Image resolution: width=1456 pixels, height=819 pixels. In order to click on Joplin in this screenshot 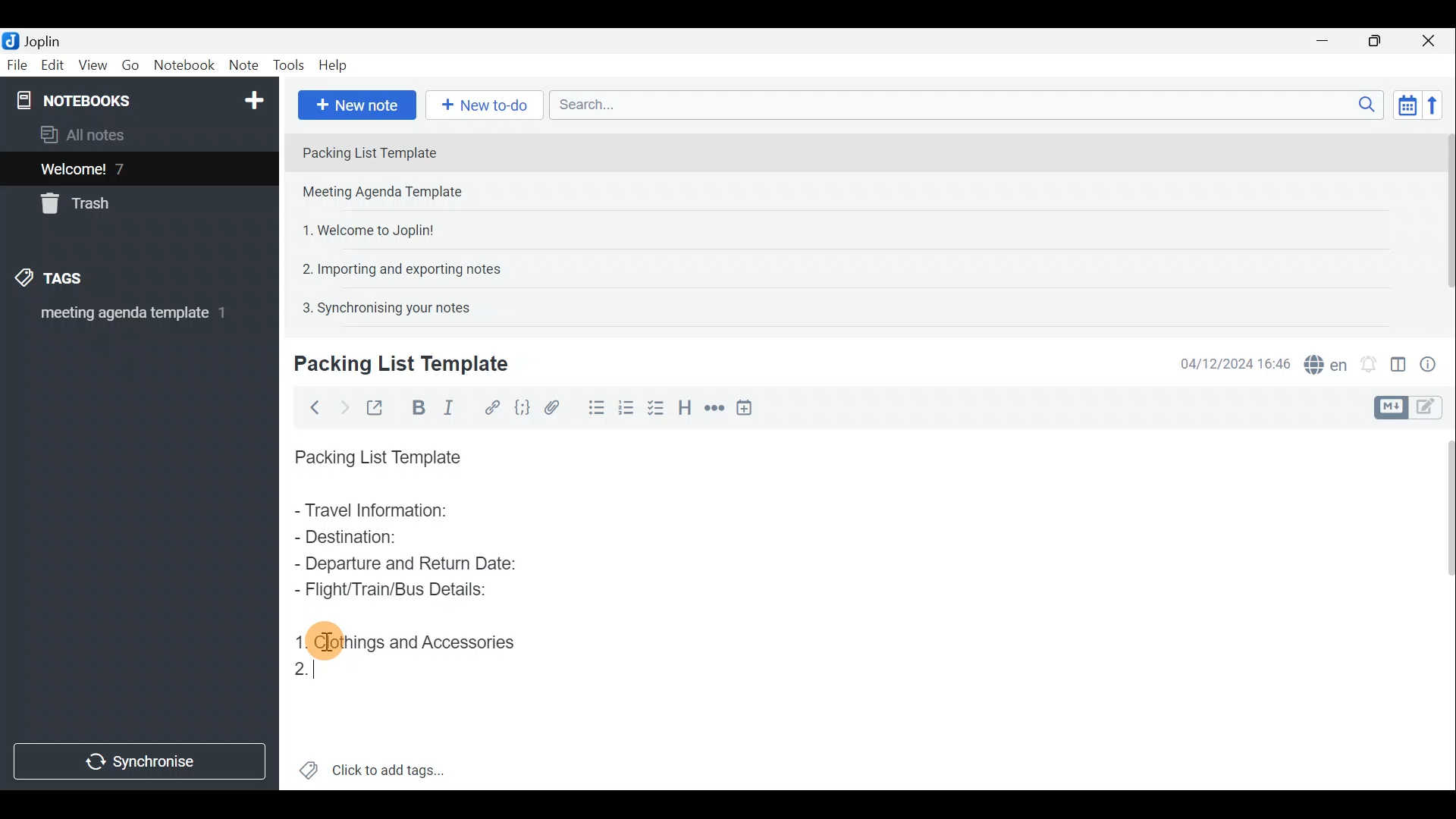, I will do `click(36, 40)`.